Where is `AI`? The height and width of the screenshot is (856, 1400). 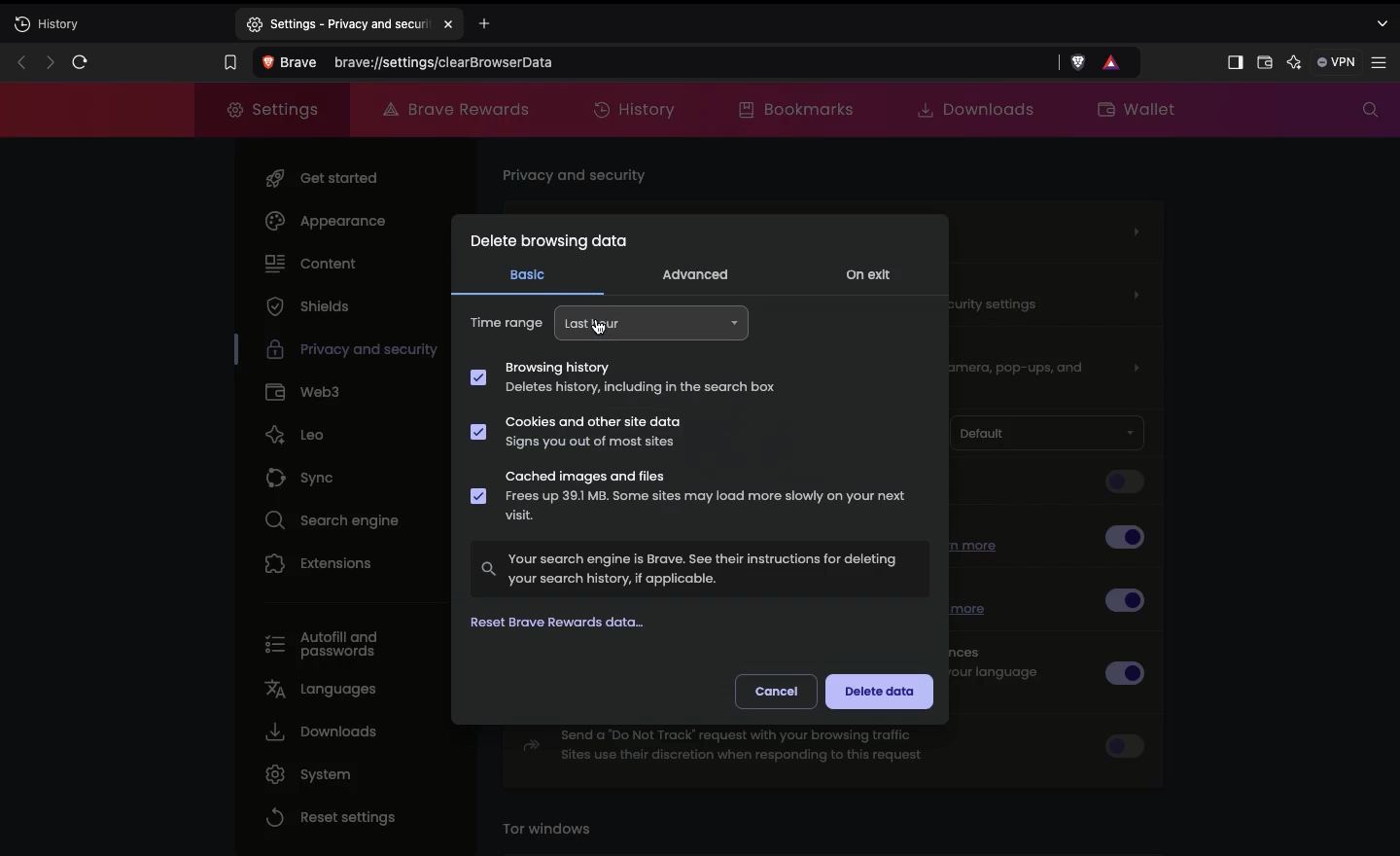
AI is located at coordinates (1292, 62).